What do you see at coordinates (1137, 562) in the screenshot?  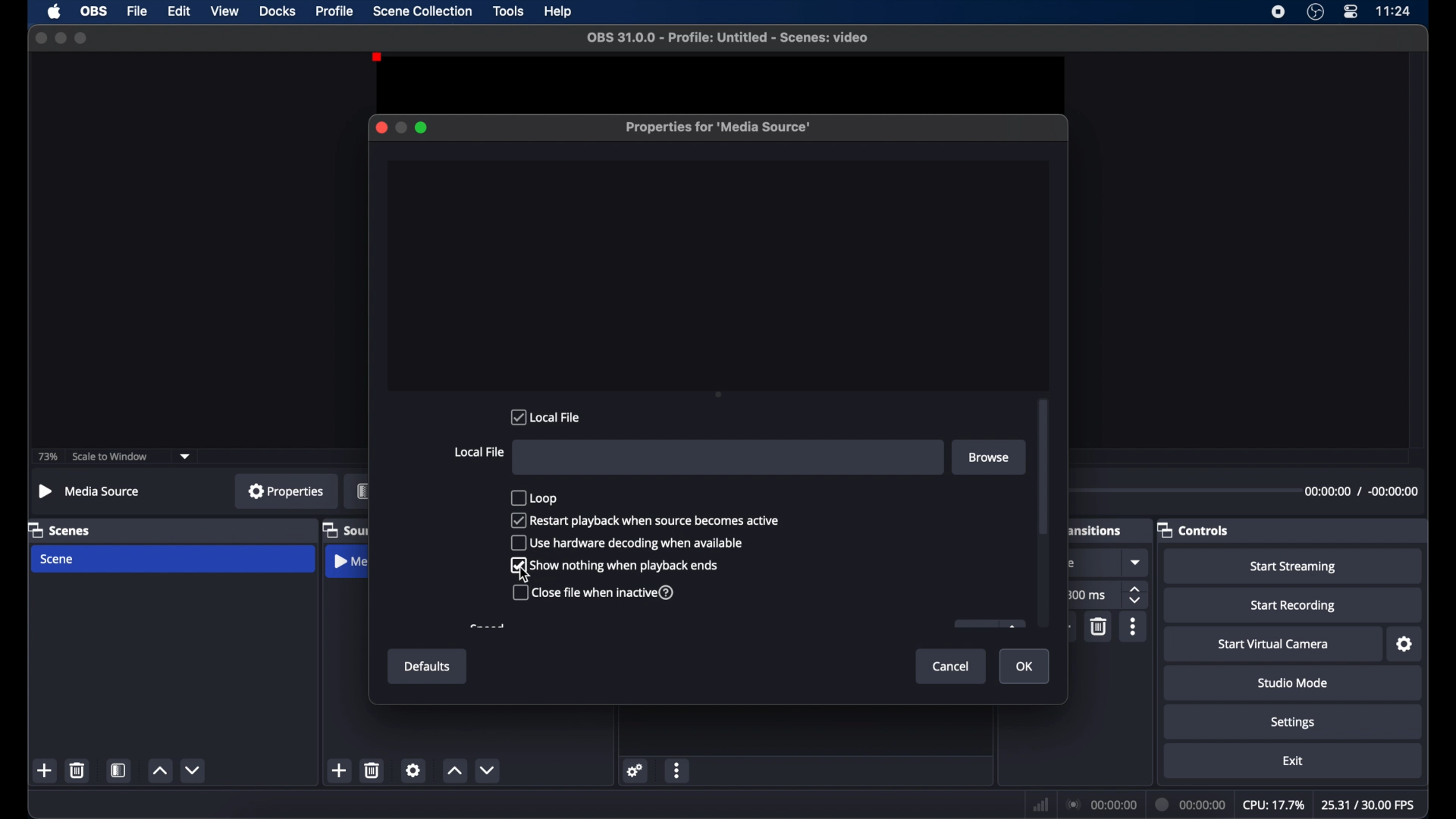 I see `dropdown` at bounding box center [1137, 562].